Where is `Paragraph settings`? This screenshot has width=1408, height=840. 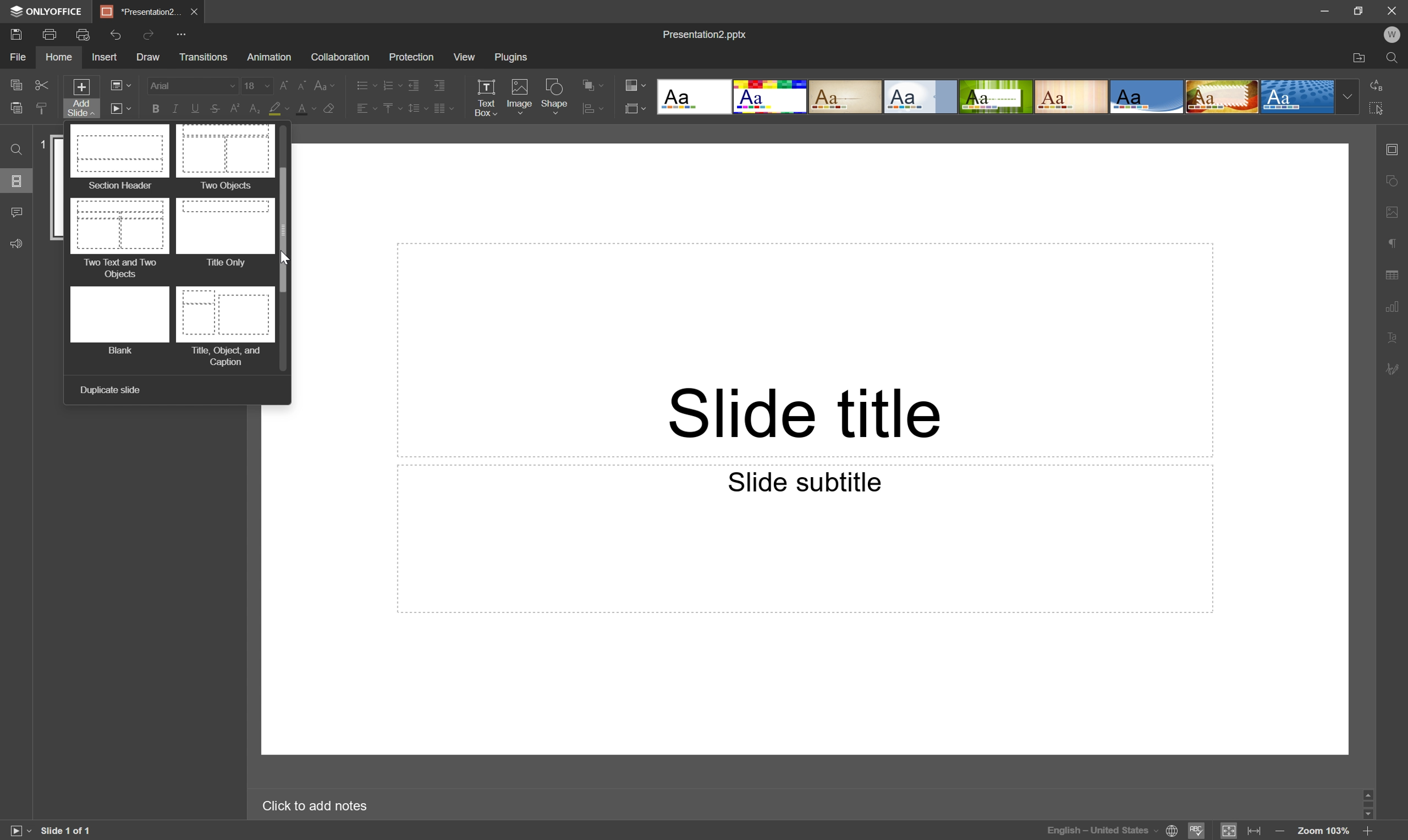 Paragraph settings is located at coordinates (1393, 241).